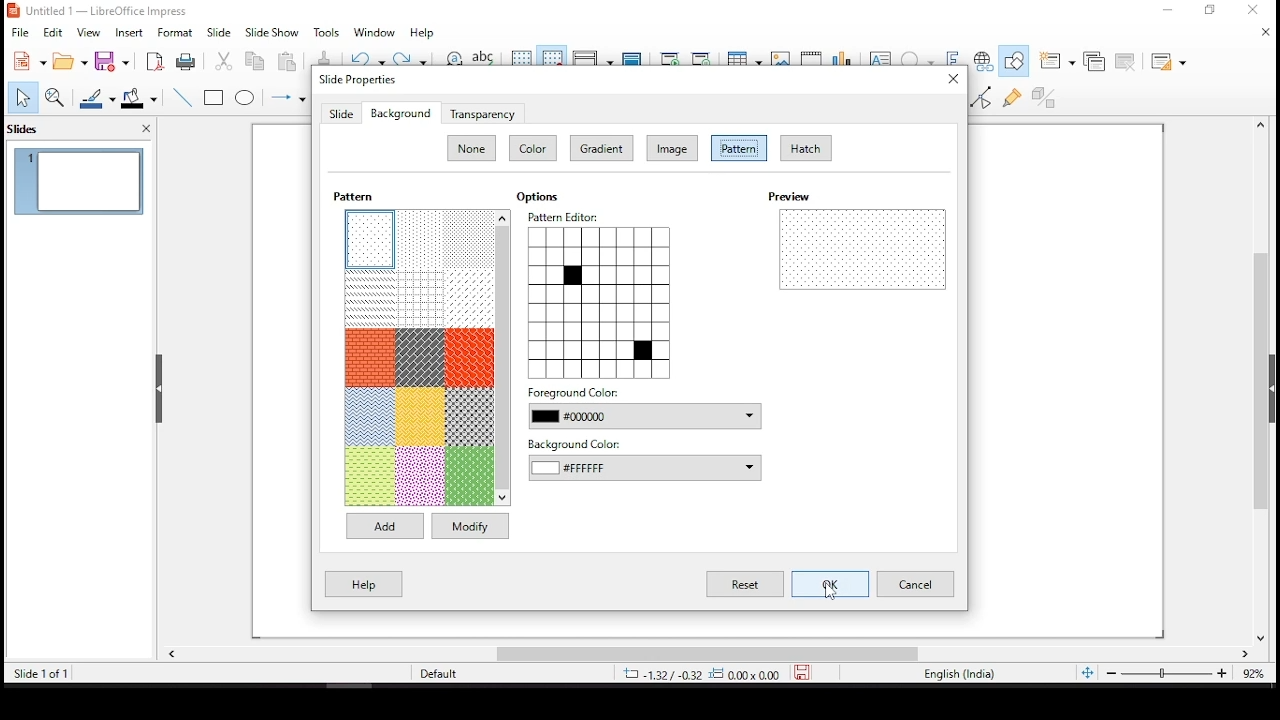  What do you see at coordinates (45, 673) in the screenshot?
I see `slide 1 of 1` at bounding box center [45, 673].